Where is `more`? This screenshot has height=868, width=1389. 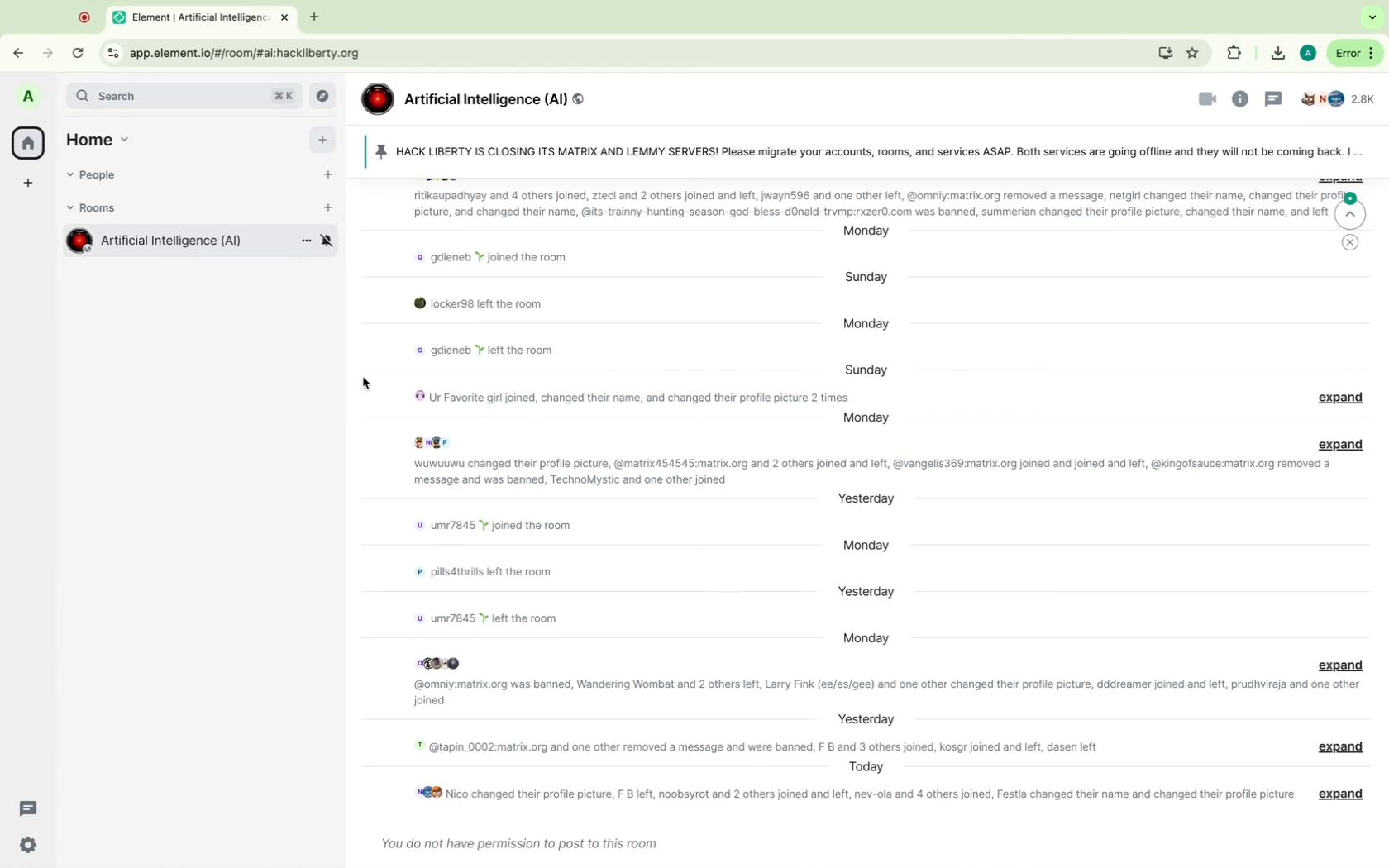 more is located at coordinates (1361, 155).